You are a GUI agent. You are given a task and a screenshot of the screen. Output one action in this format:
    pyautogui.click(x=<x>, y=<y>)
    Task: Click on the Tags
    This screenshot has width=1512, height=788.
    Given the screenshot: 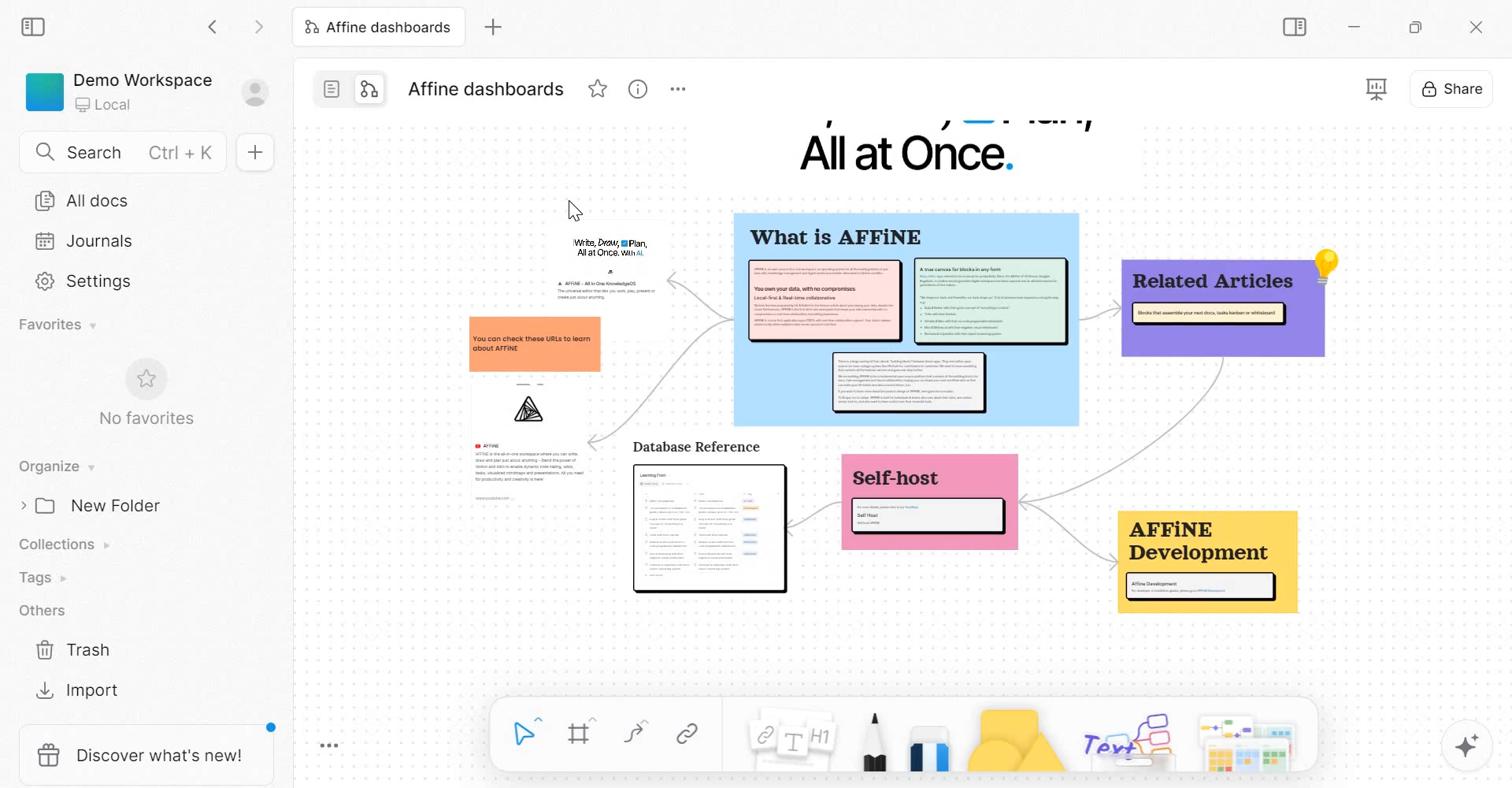 What is the action you would take?
    pyautogui.click(x=43, y=576)
    